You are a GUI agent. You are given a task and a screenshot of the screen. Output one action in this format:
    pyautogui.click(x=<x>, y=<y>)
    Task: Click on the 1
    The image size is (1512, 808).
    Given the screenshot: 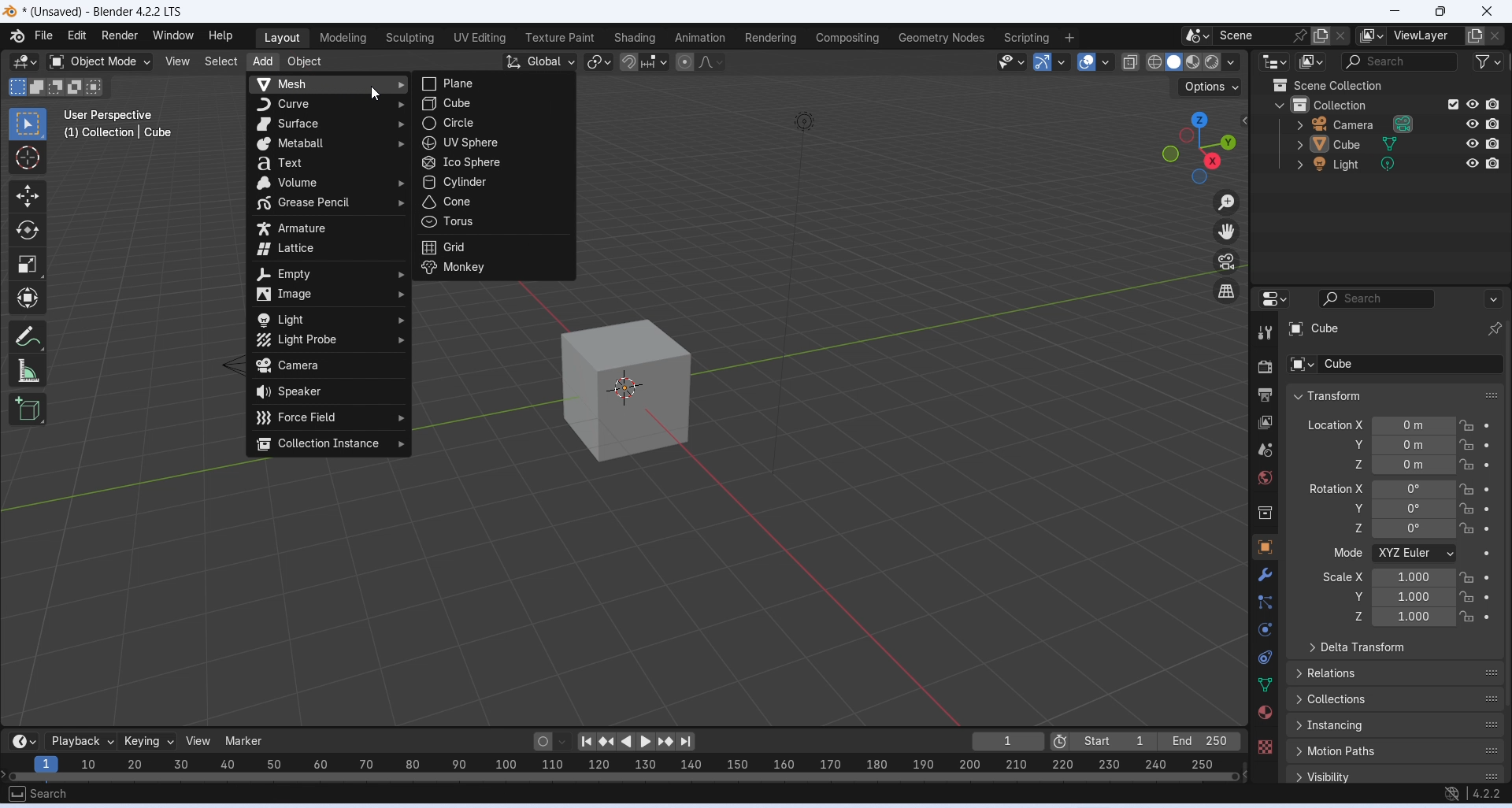 What is the action you would take?
    pyautogui.click(x=1009, y=741)
    